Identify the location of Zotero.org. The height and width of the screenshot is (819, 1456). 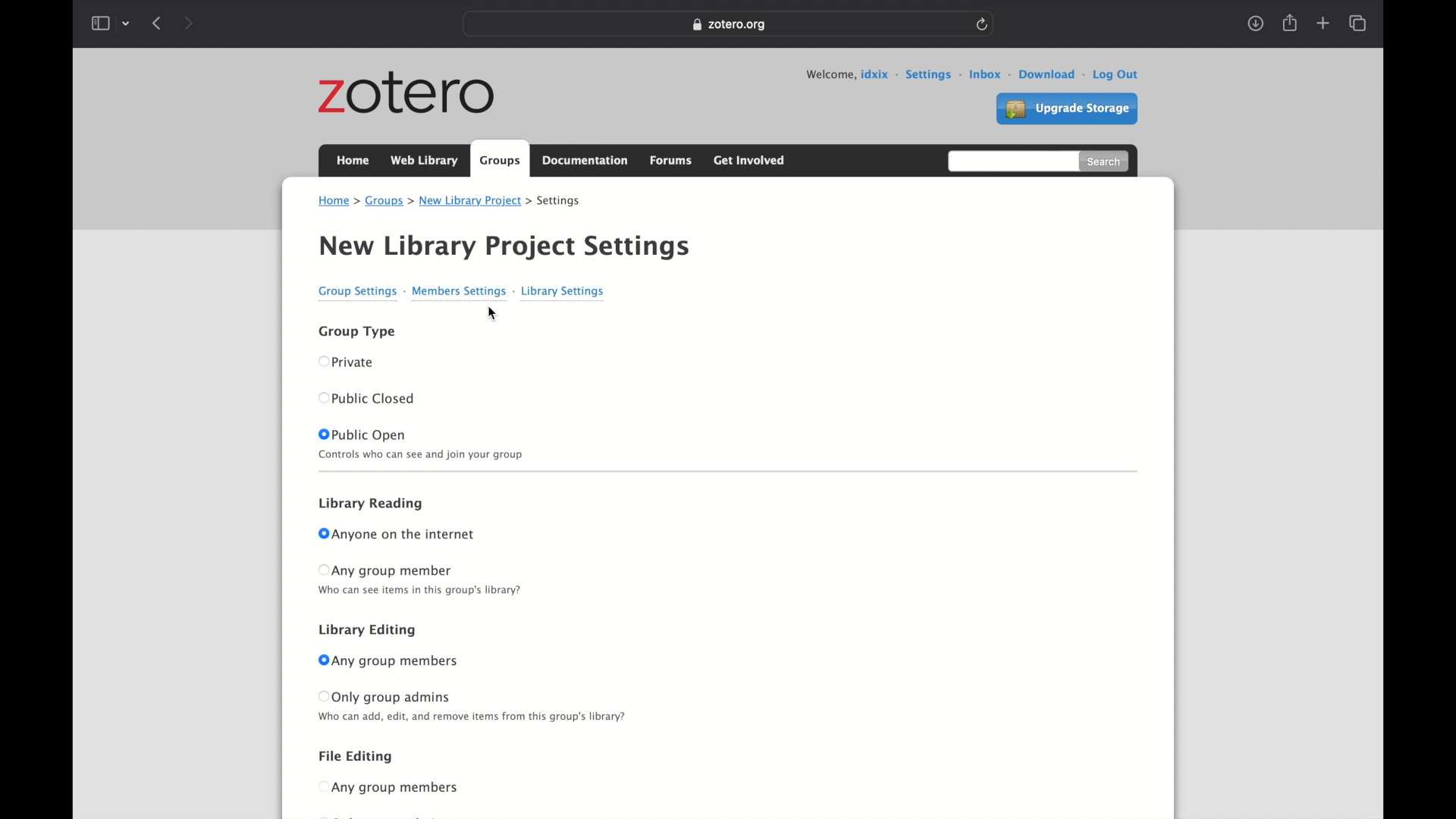
(730, 25).